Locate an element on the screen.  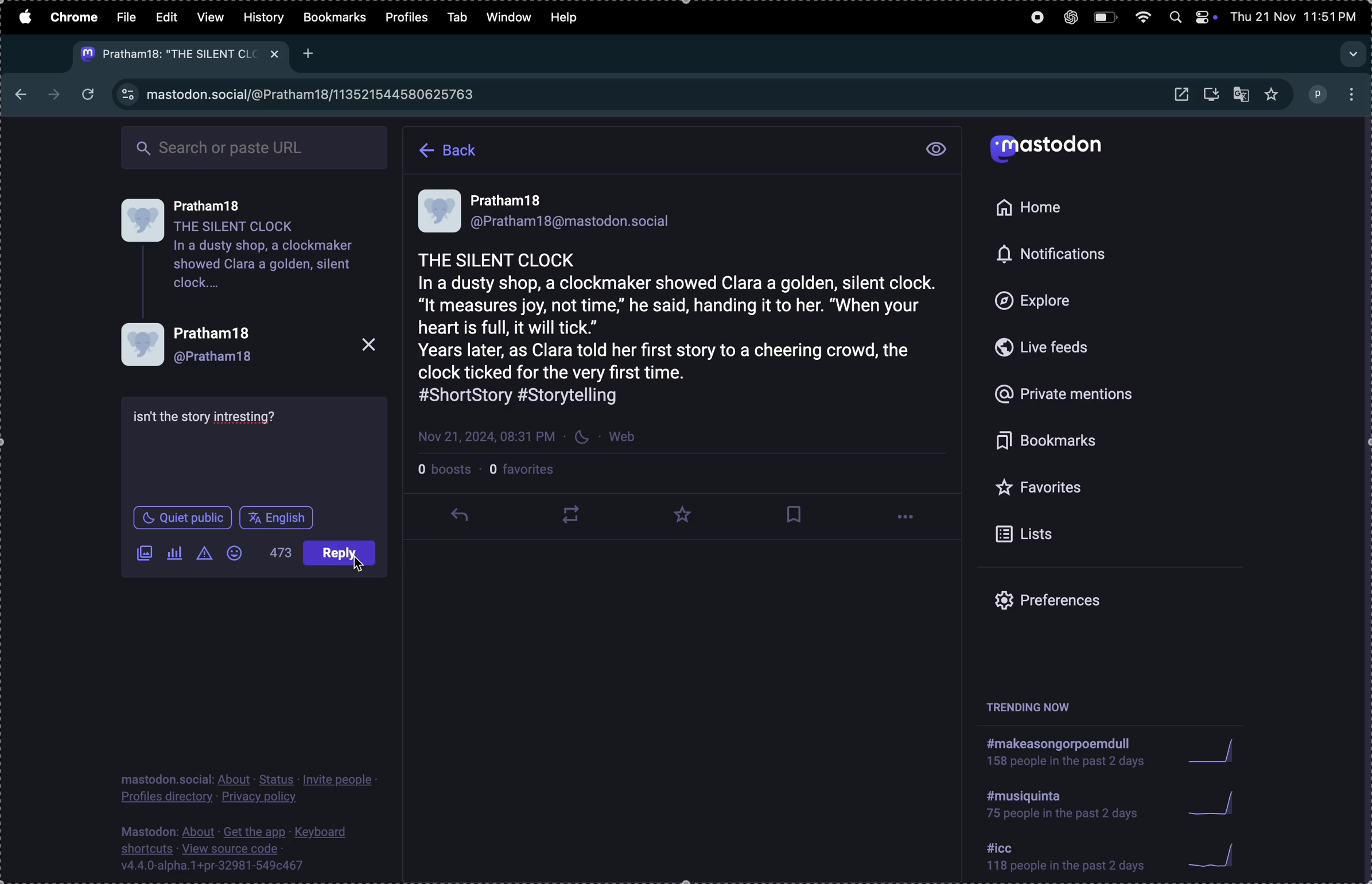
record is located at coordinates (1033, 18).